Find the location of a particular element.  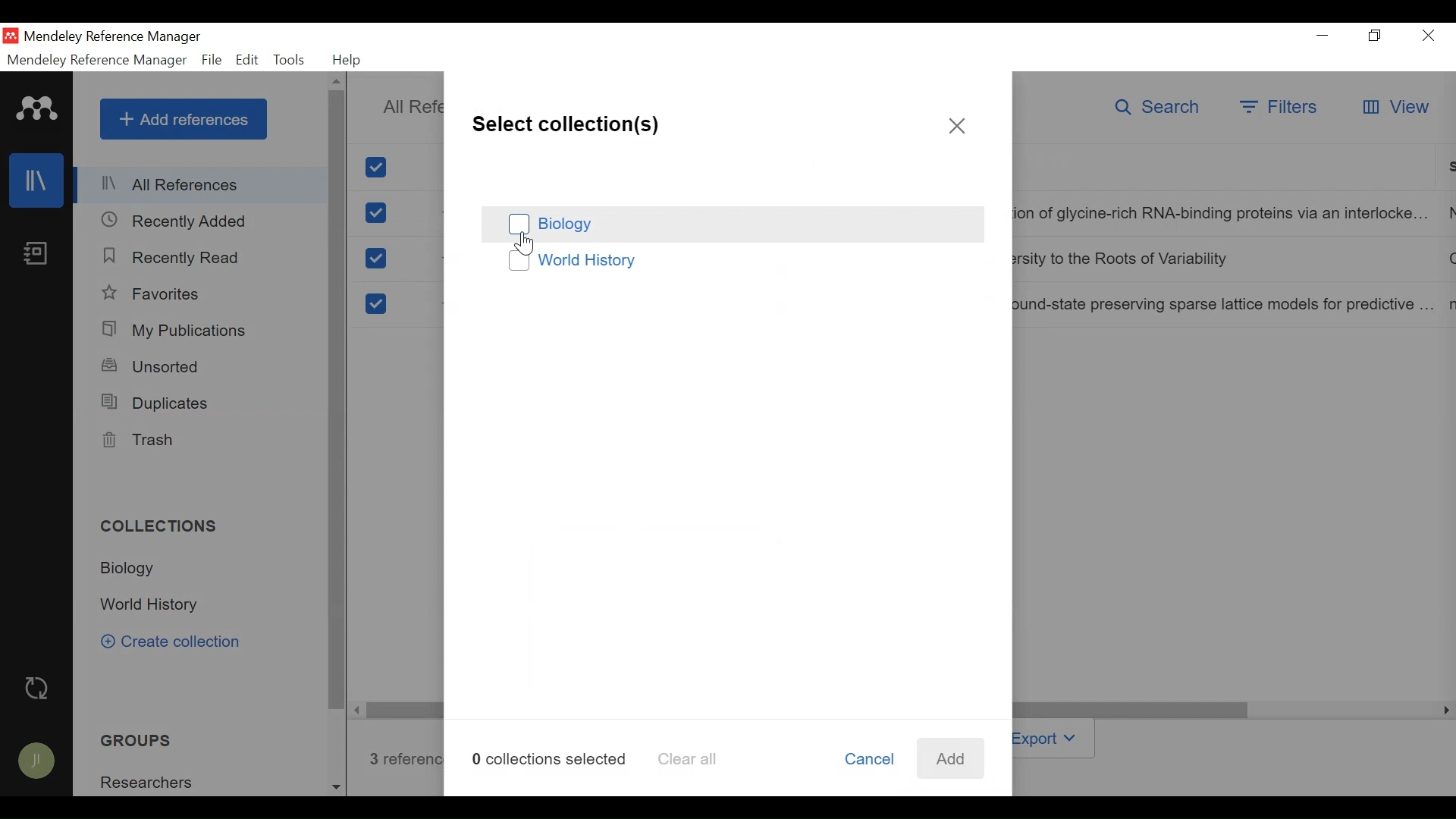

Vertical Scroll bar is located at coordinates (338, 401).